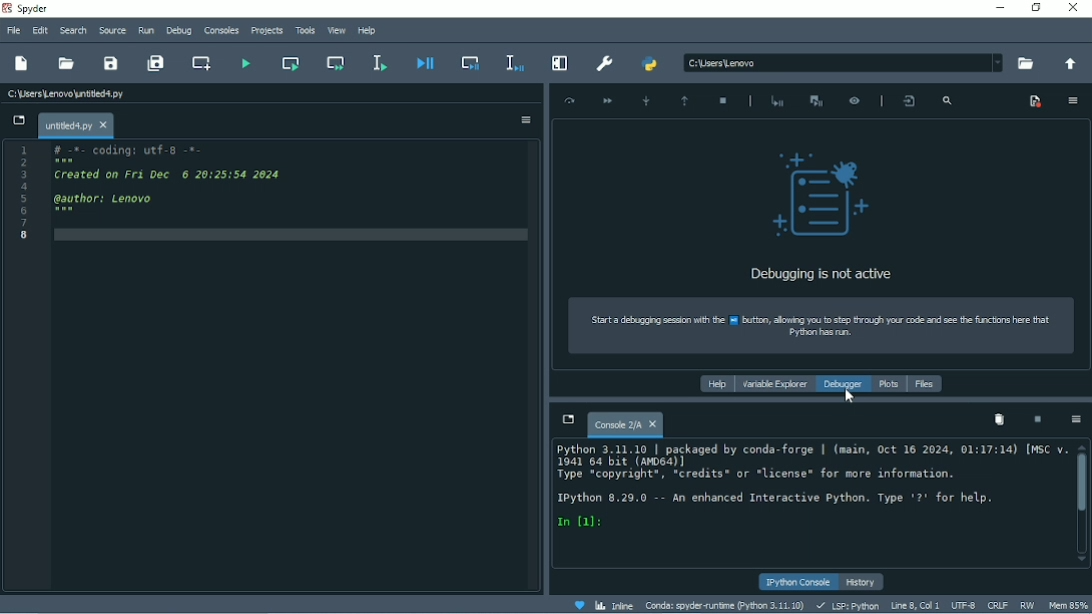 The image size is (1092, 614). I want to click on Remove all variables from namespace, so click(1000, 420).